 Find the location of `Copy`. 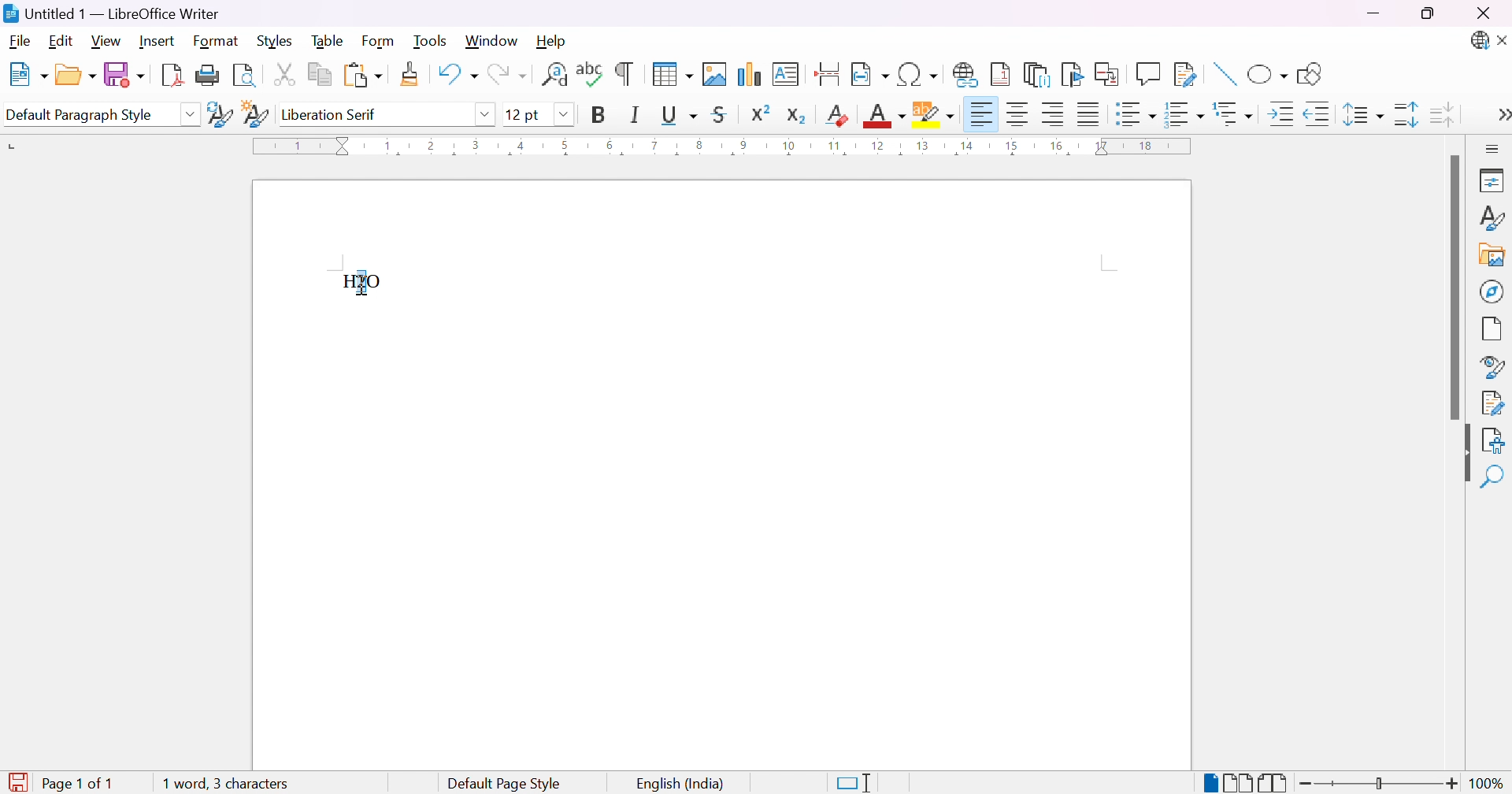

Copy is located at coordinates (321, 75).